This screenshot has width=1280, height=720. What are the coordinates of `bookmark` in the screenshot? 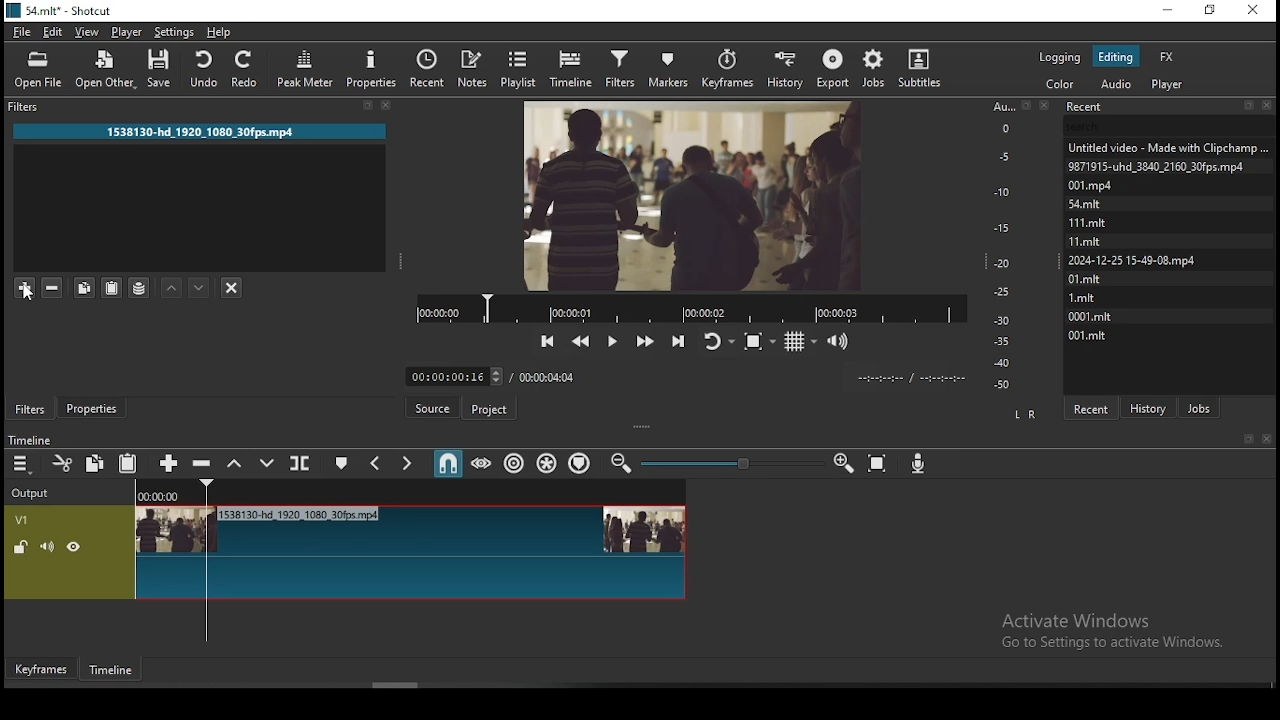 It's located at (1248, 440).